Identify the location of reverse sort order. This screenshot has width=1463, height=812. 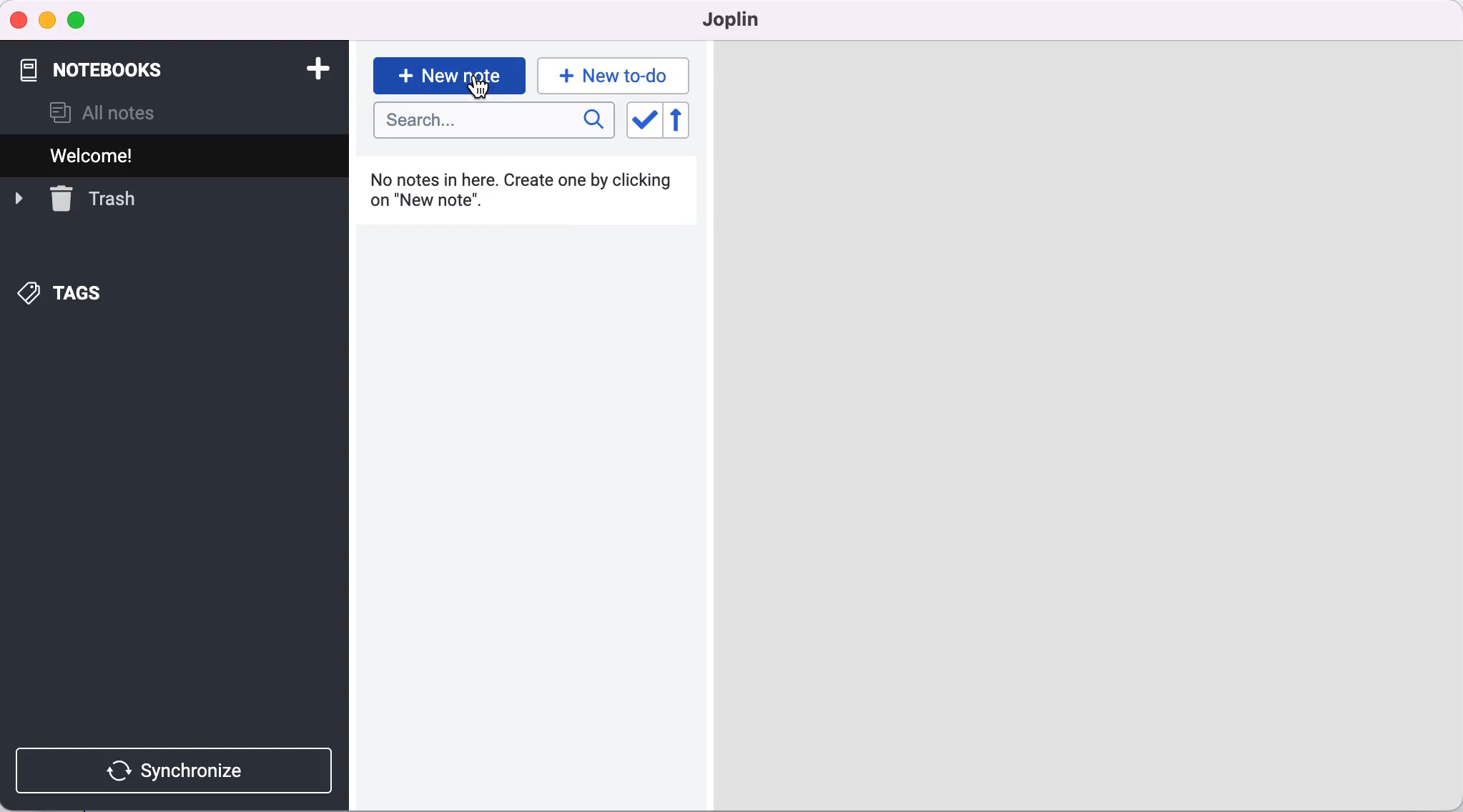
(686, 121).